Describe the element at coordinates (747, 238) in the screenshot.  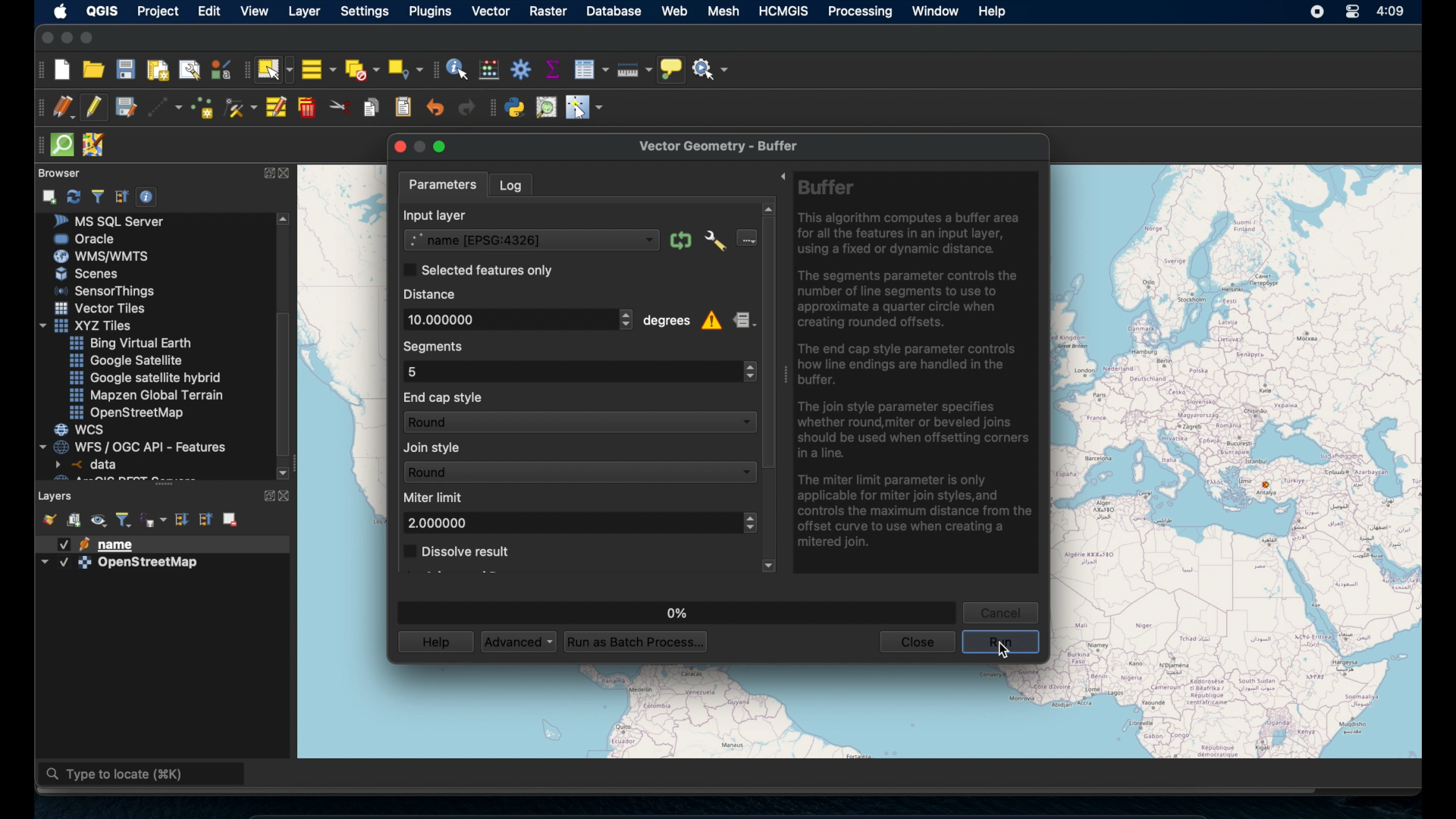
I see `select input` at that location.